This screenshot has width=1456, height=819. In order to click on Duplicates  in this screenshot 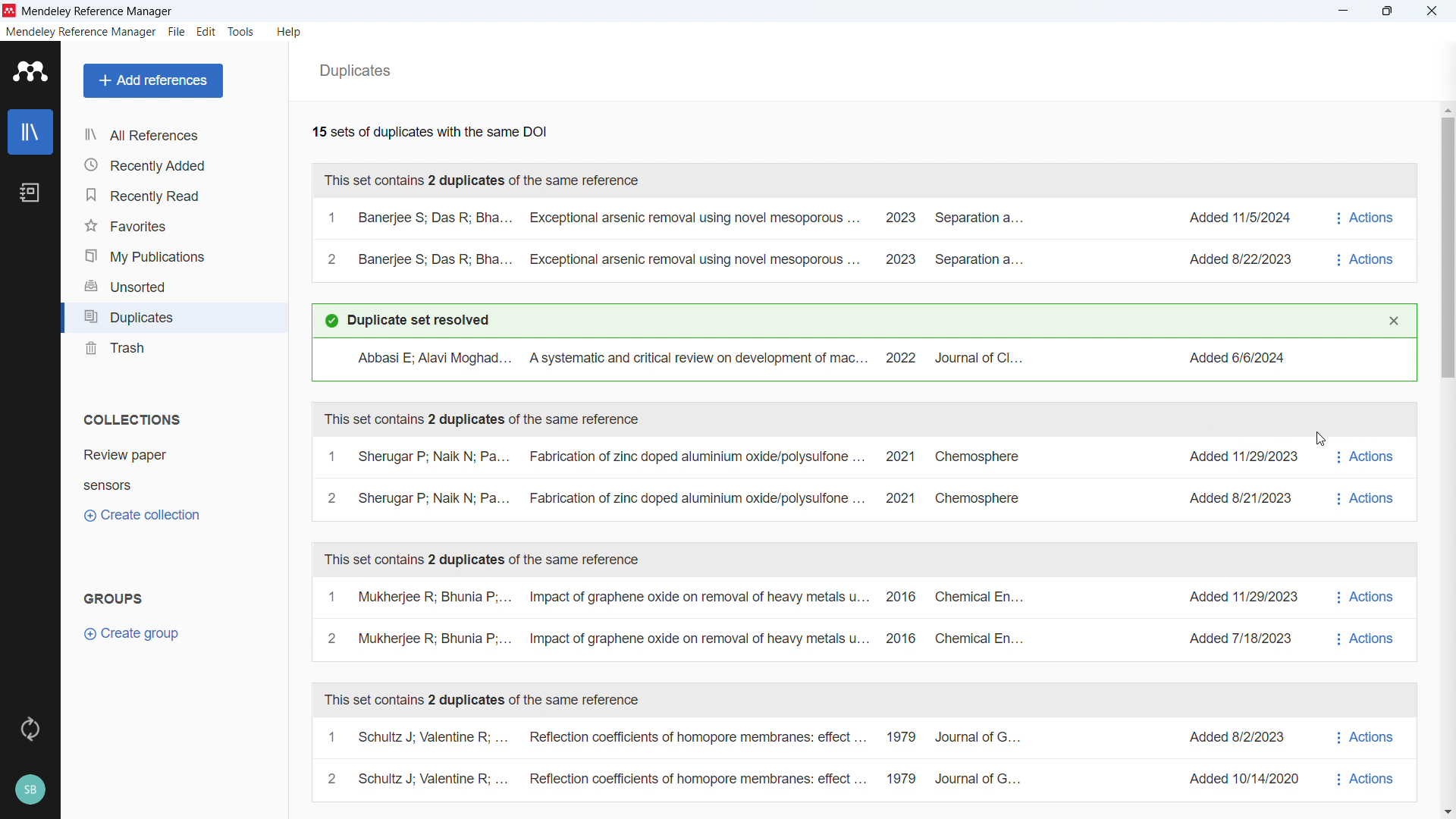, I will do `click(174, 317)`.